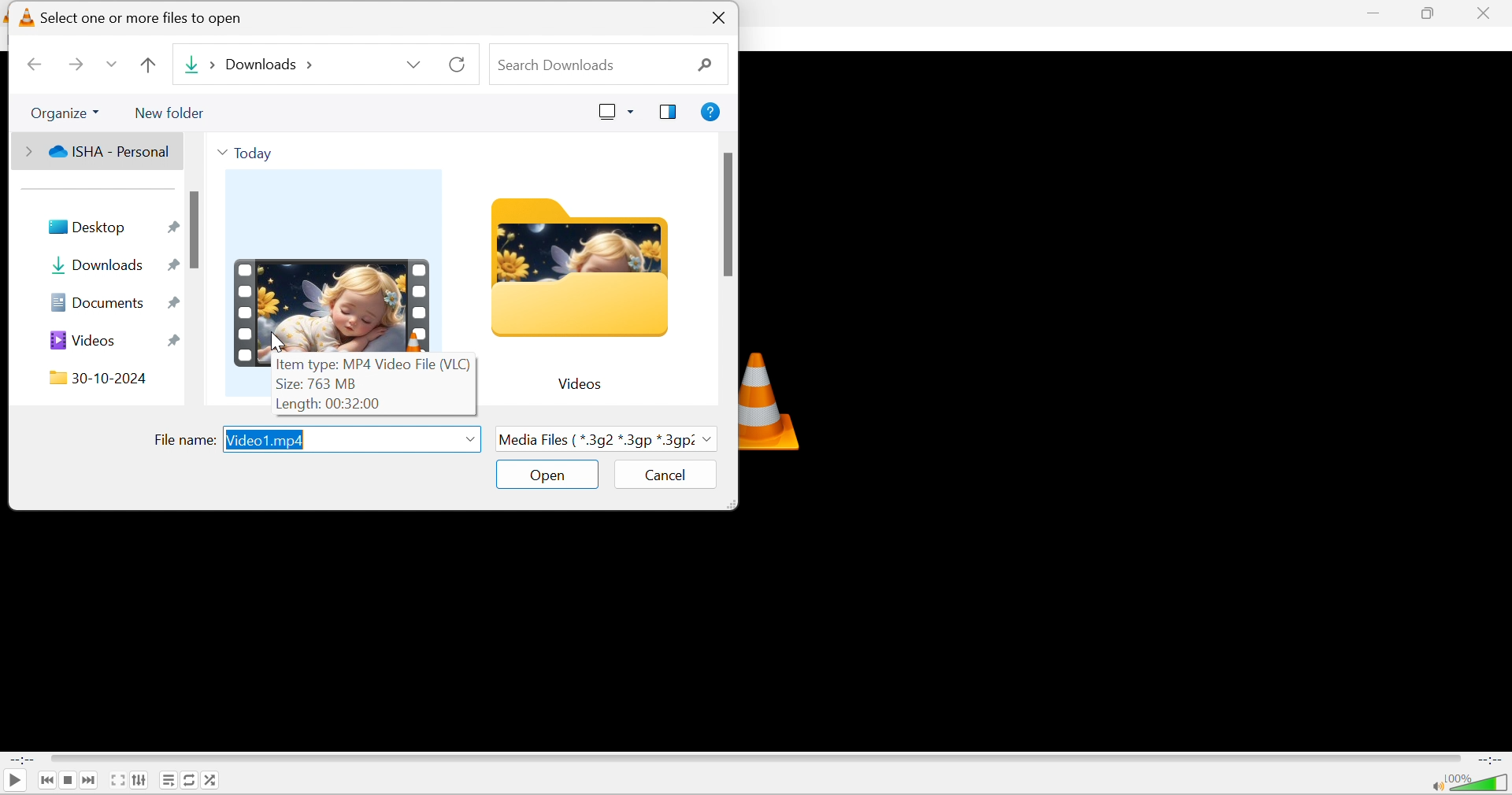 This screenshot has height=795, width=1512. Describe the element at coordinates (147, 19) in the screenshot. I see `Select one or more files to open` at that location.